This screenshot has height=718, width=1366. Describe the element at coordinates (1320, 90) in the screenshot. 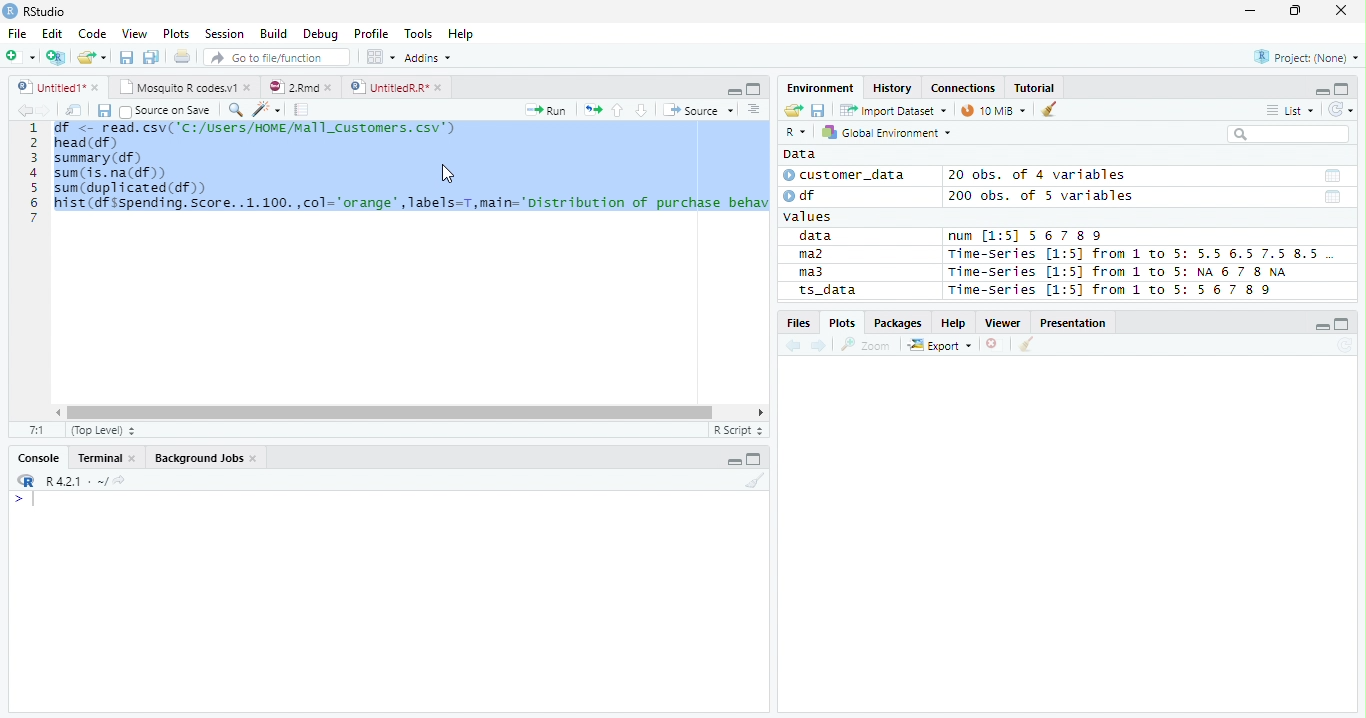

I see `Minimze` at that location.